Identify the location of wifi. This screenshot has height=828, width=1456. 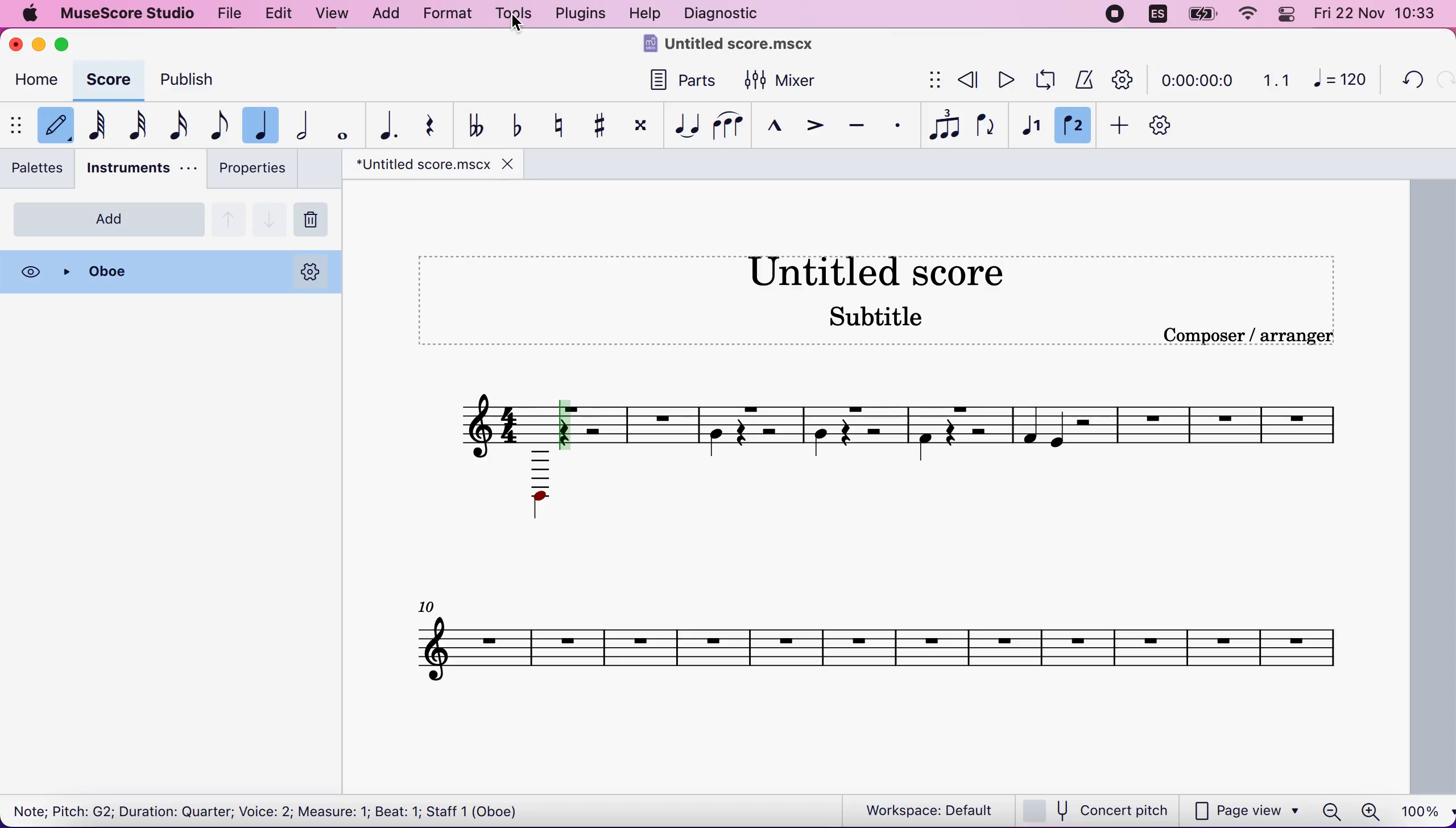
(1243, 13).